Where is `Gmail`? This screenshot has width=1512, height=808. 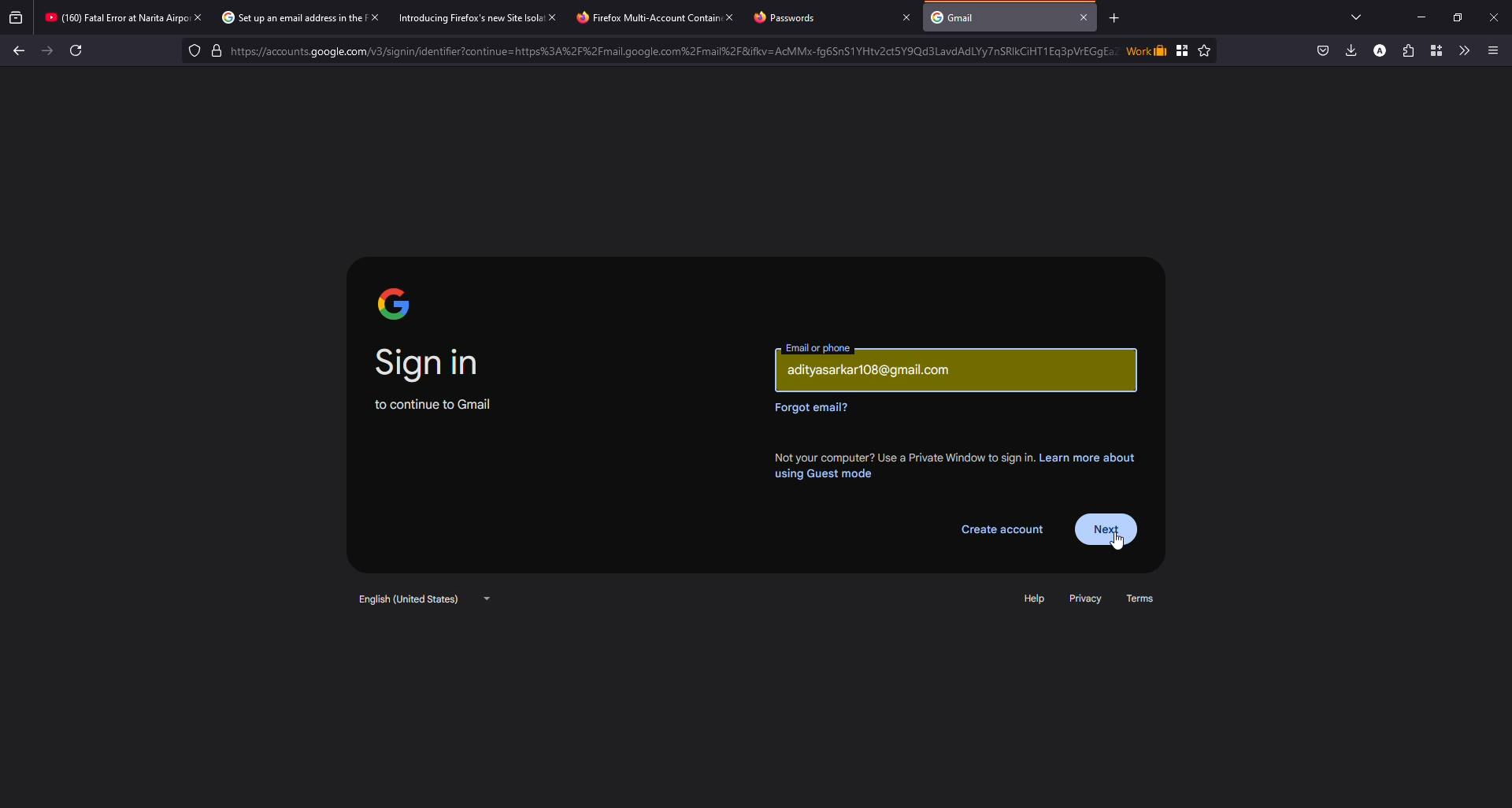 Gmail is located at coordinates (958, 17).